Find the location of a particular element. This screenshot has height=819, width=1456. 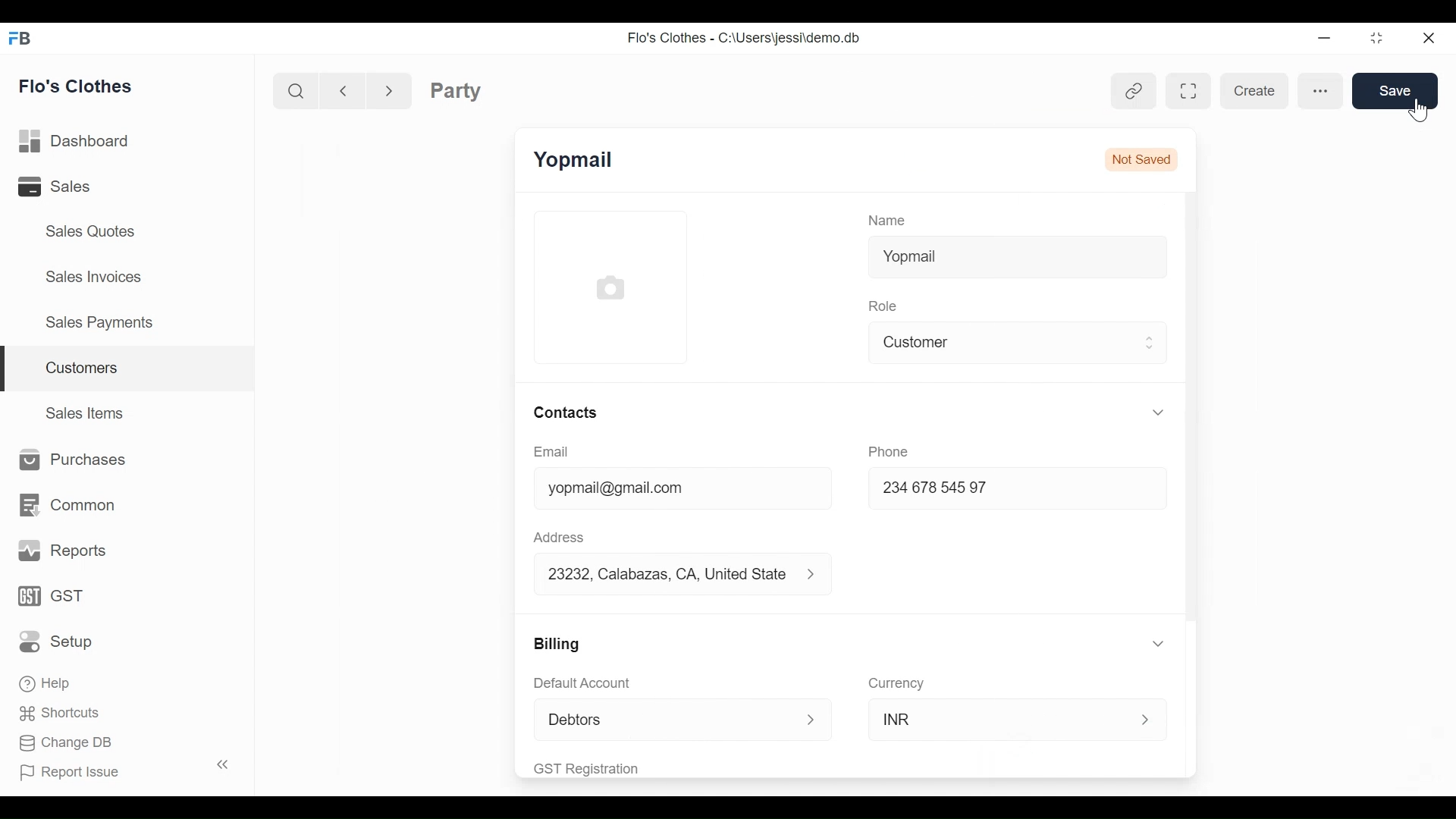

Role is located at coordinates (885, 306).